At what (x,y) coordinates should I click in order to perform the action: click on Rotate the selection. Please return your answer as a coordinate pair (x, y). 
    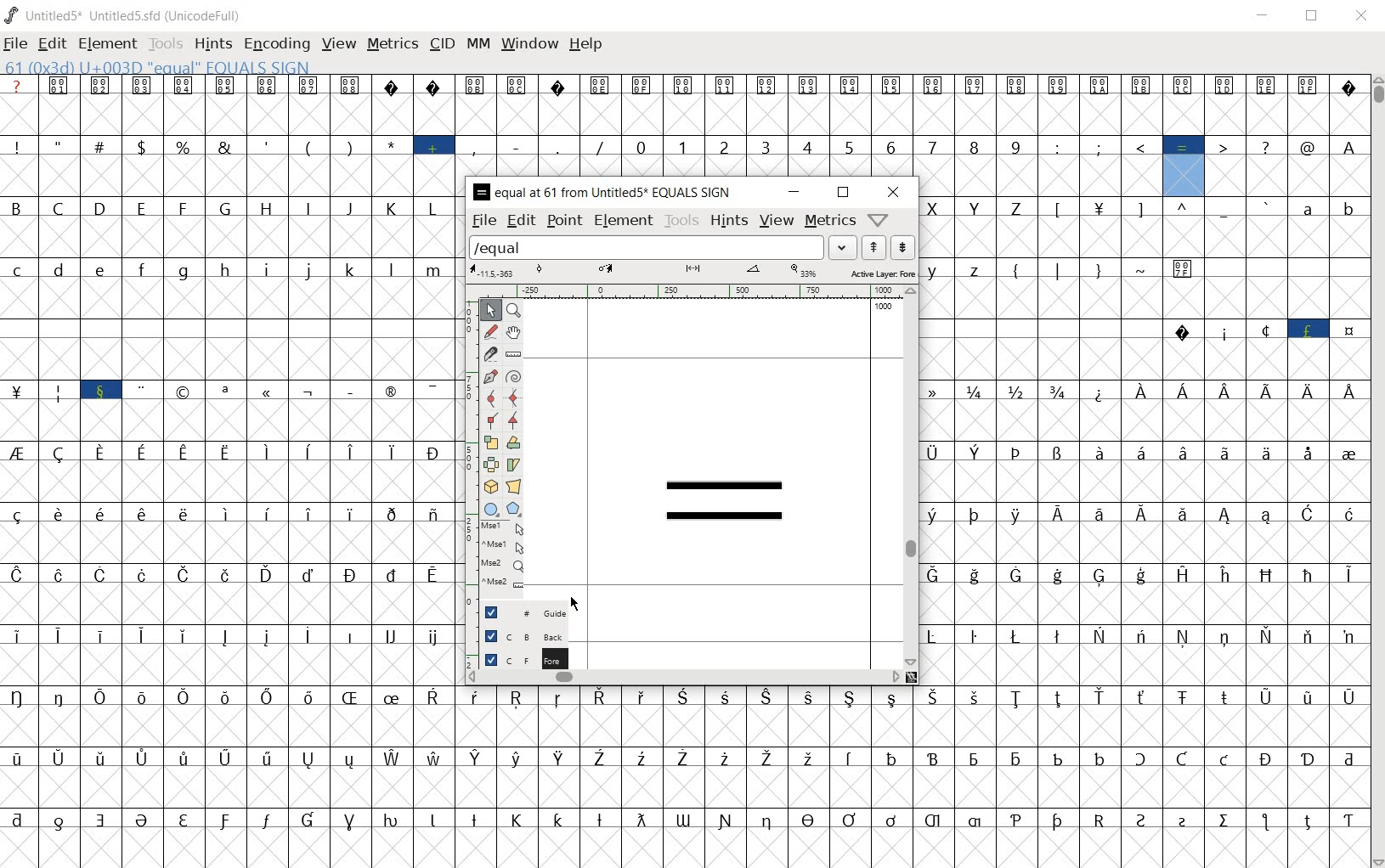
    Looking at the image, I should click on (514, 444).